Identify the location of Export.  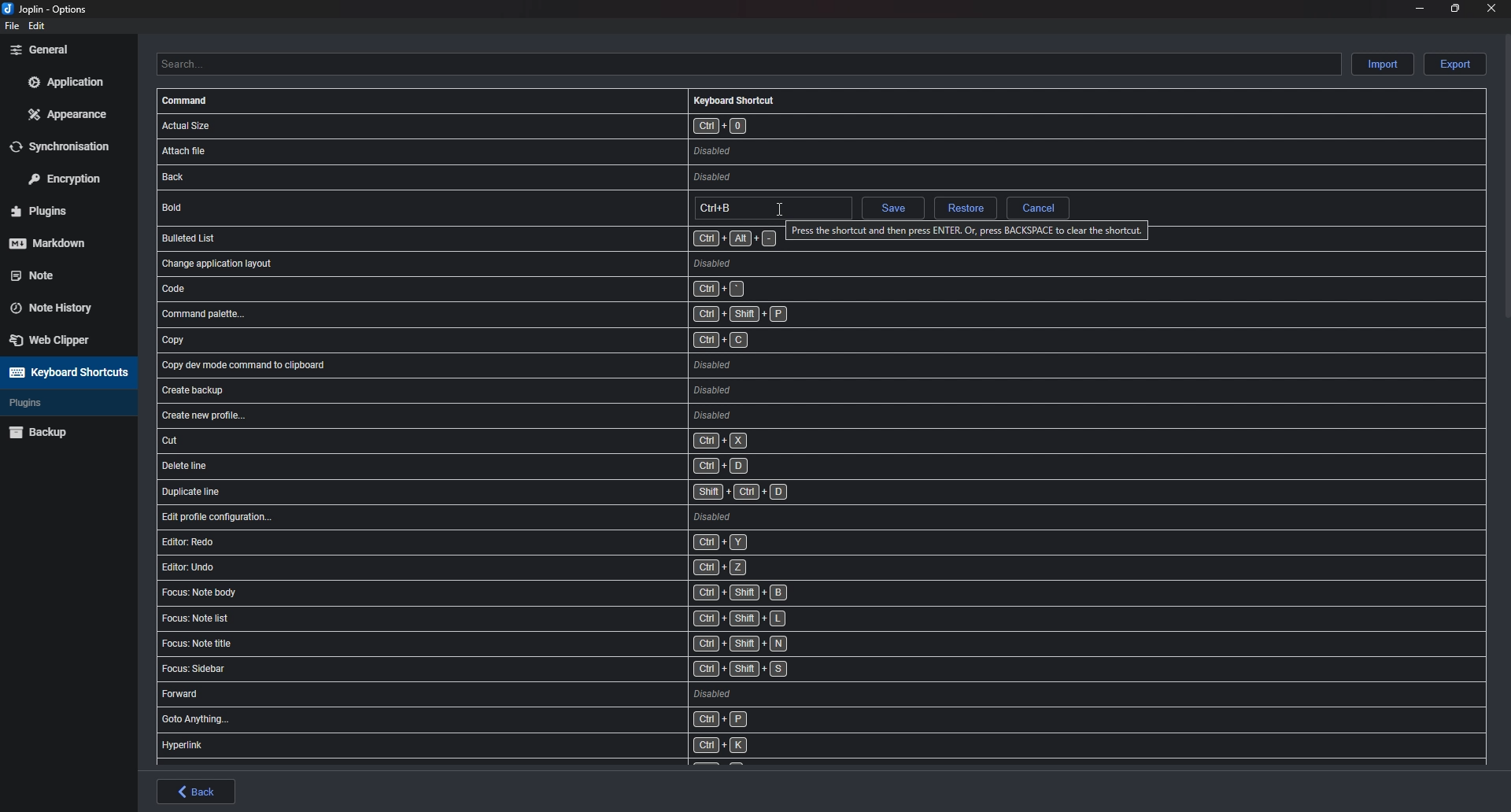
(1455, 65).